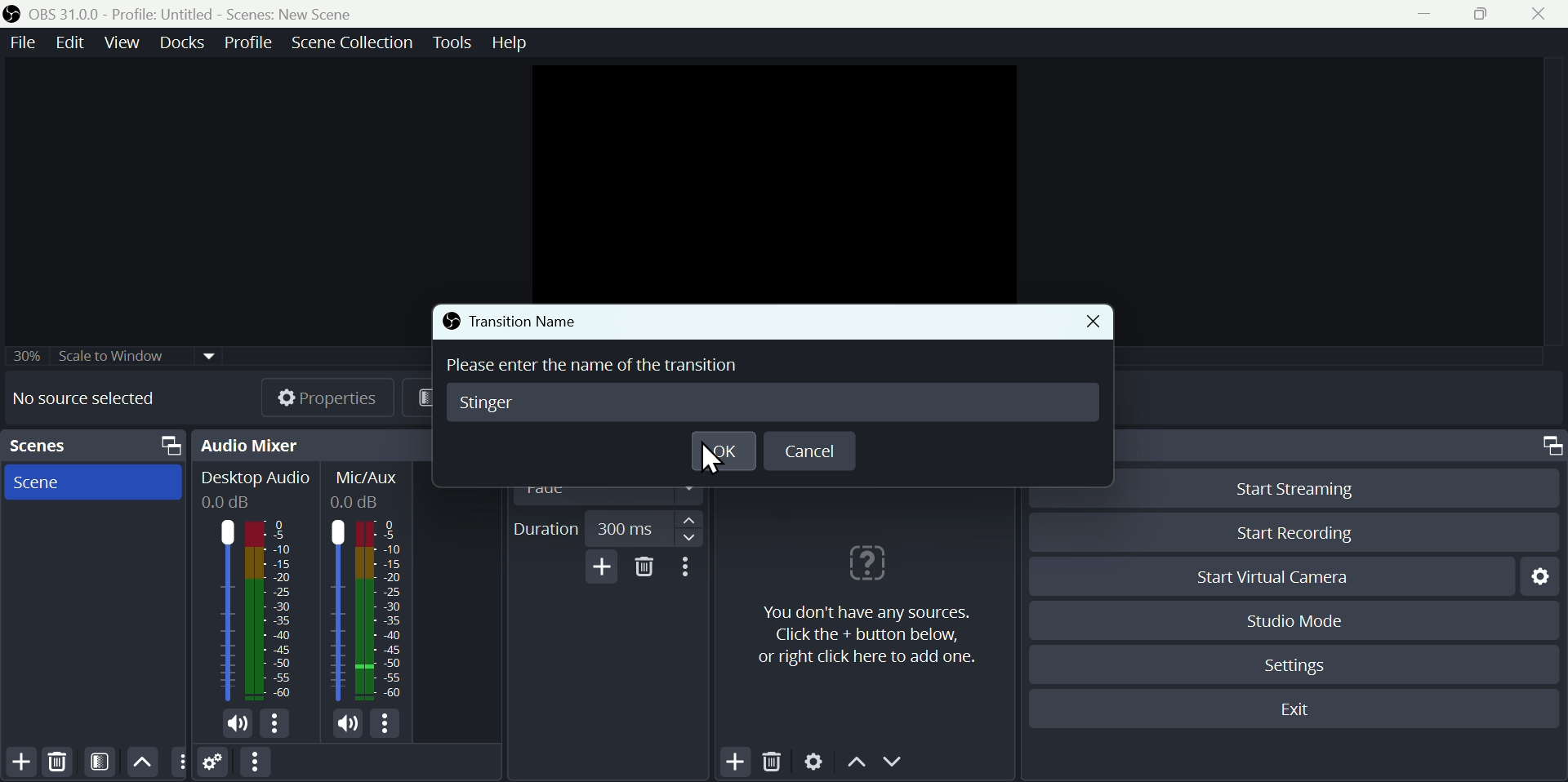 The height and width of the screenshot is (782, 1568). Describe the element at coordinates (367, 613) in the screenshot. I see `Audio bar` at that location.